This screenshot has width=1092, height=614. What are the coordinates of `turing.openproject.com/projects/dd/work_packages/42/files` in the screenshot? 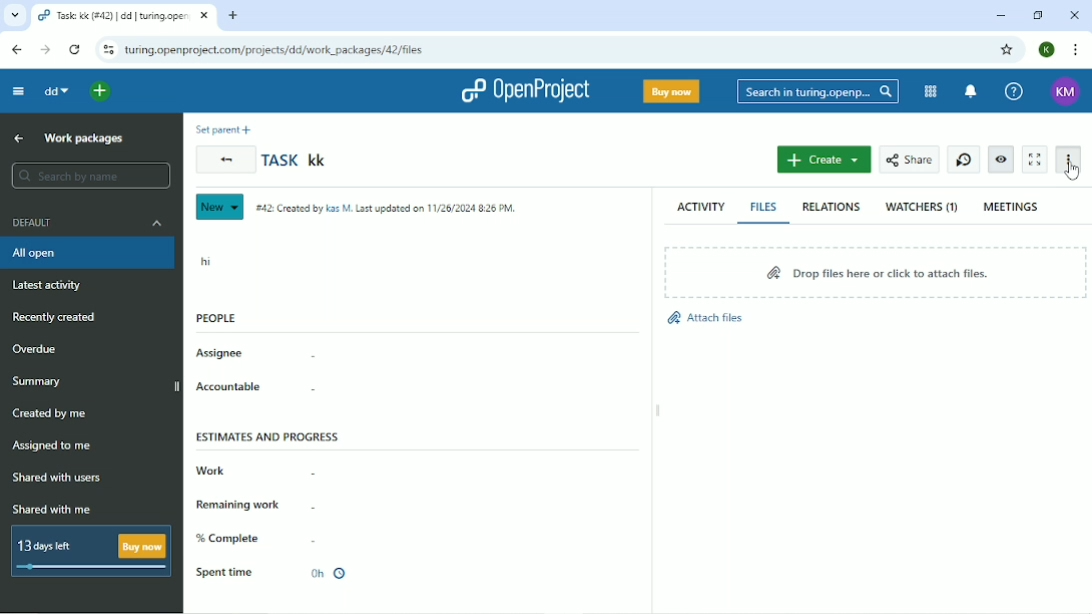 It's located at (273, 50).